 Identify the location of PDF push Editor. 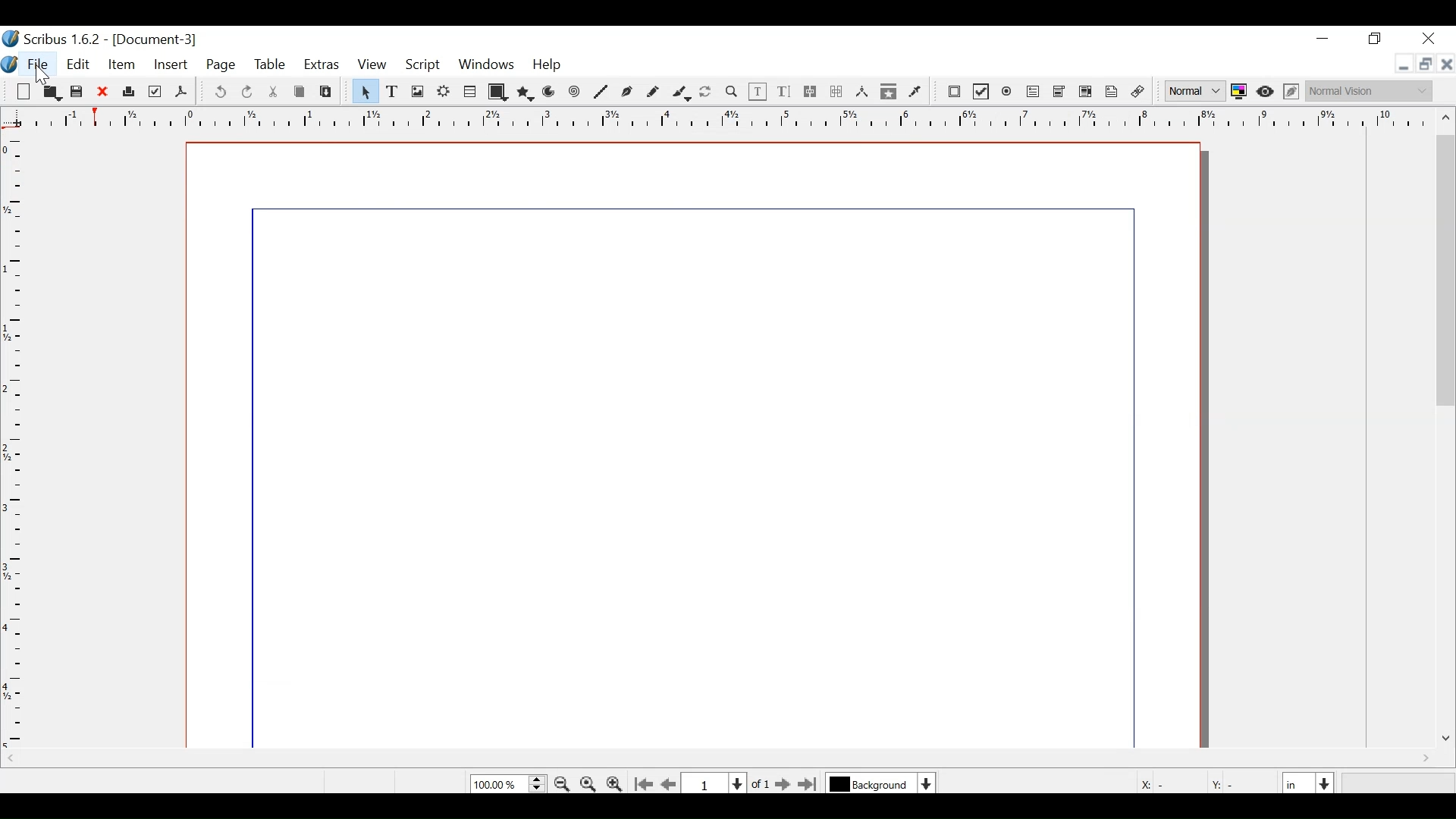
(954, 93).